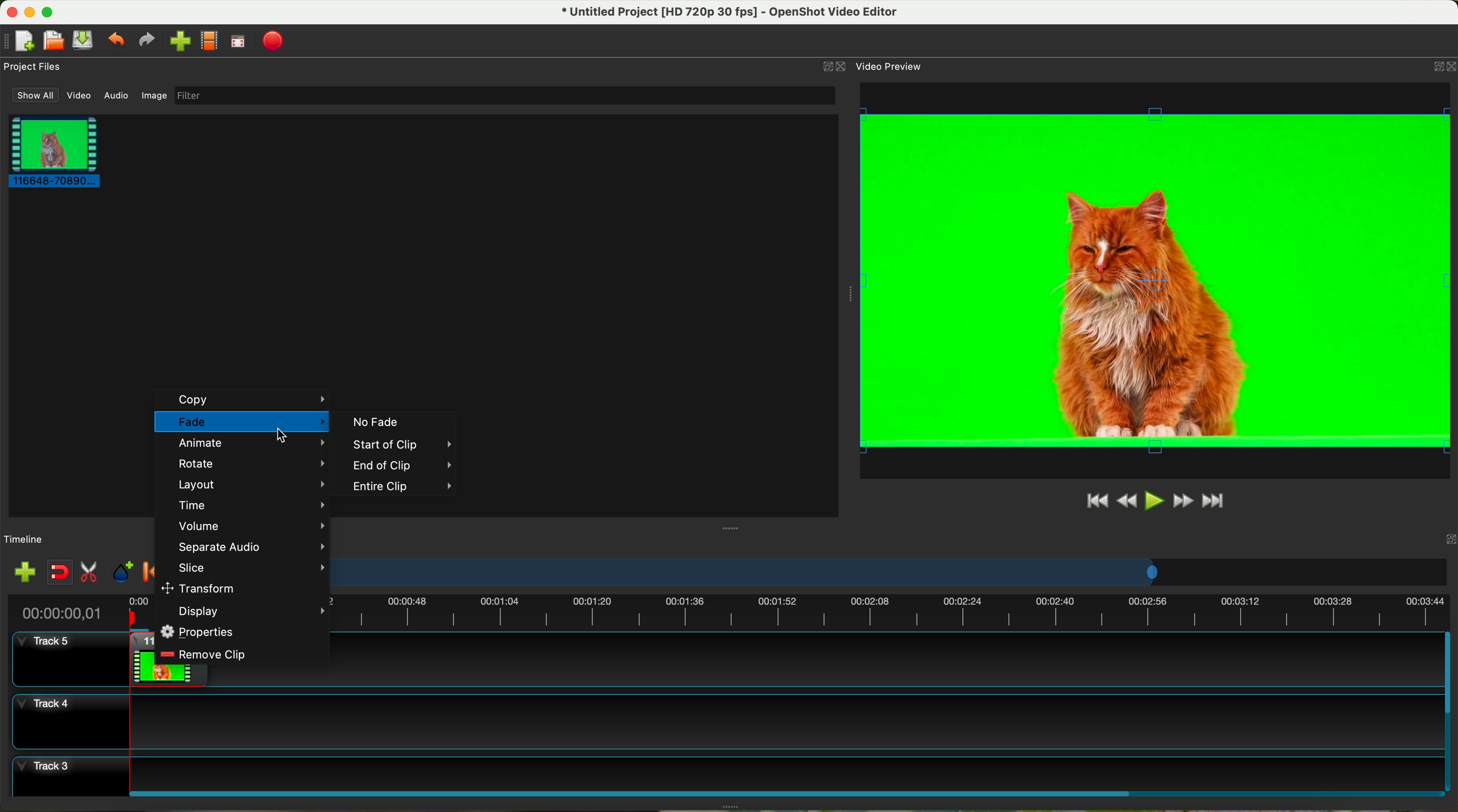 The height and width of the screenshot is (812, 1458). I want to click on jump to end, so click(1215, 502).